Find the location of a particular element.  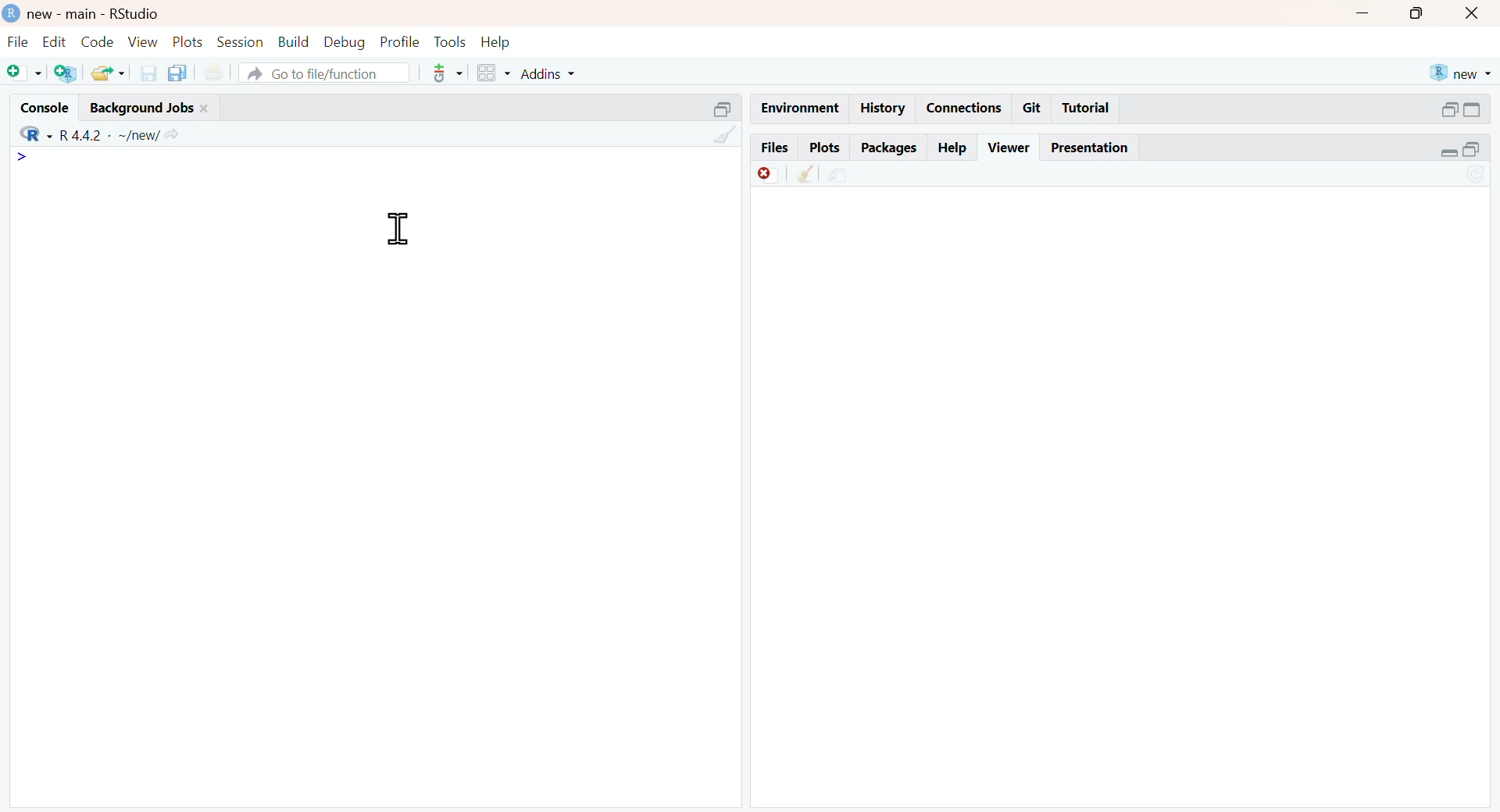

Presentation is located at coordinates (1096, 148).